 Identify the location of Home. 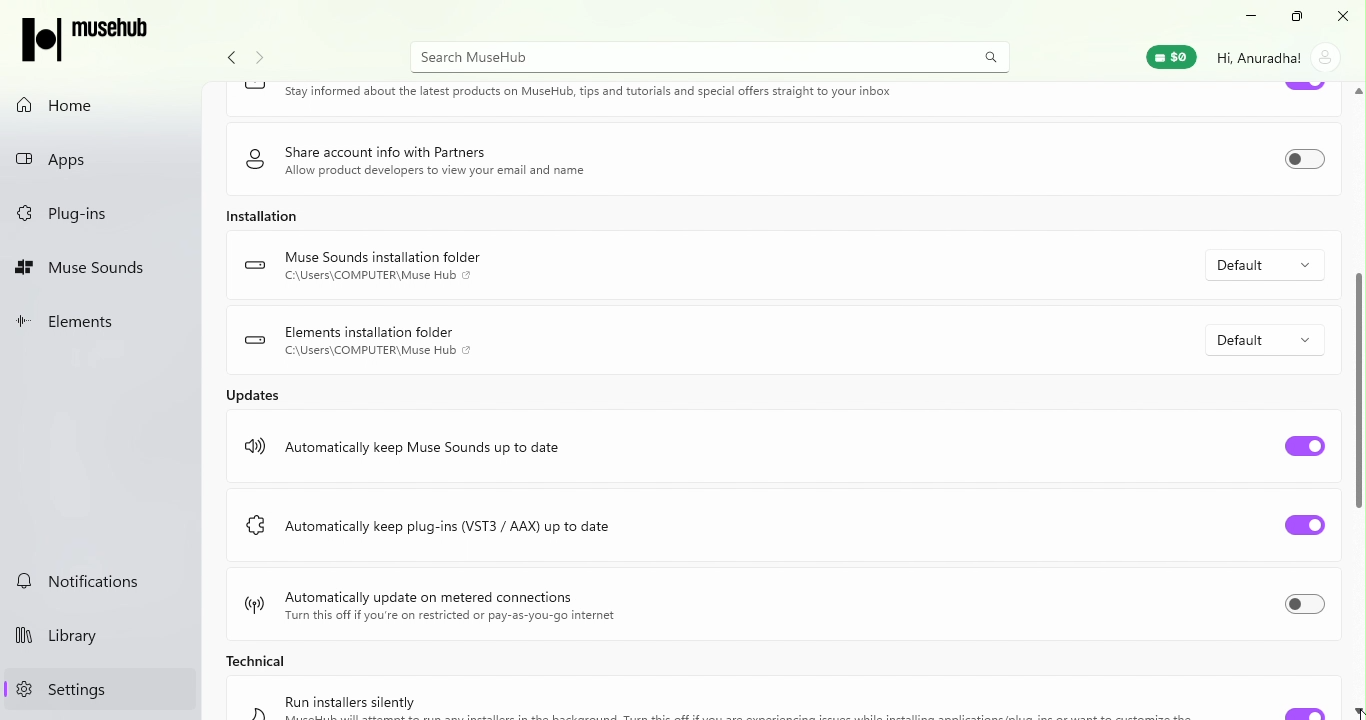
(100, 106).